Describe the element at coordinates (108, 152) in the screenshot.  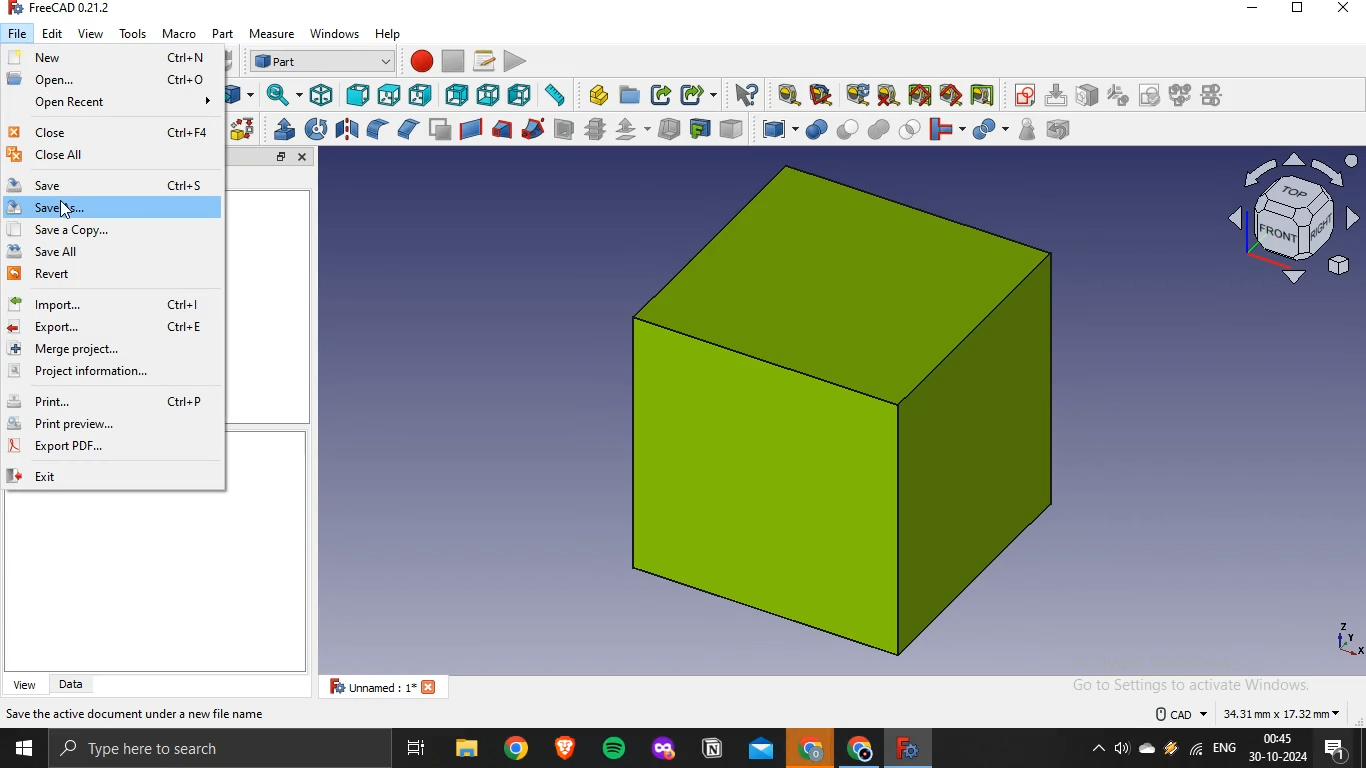
I see `close all` at that location.